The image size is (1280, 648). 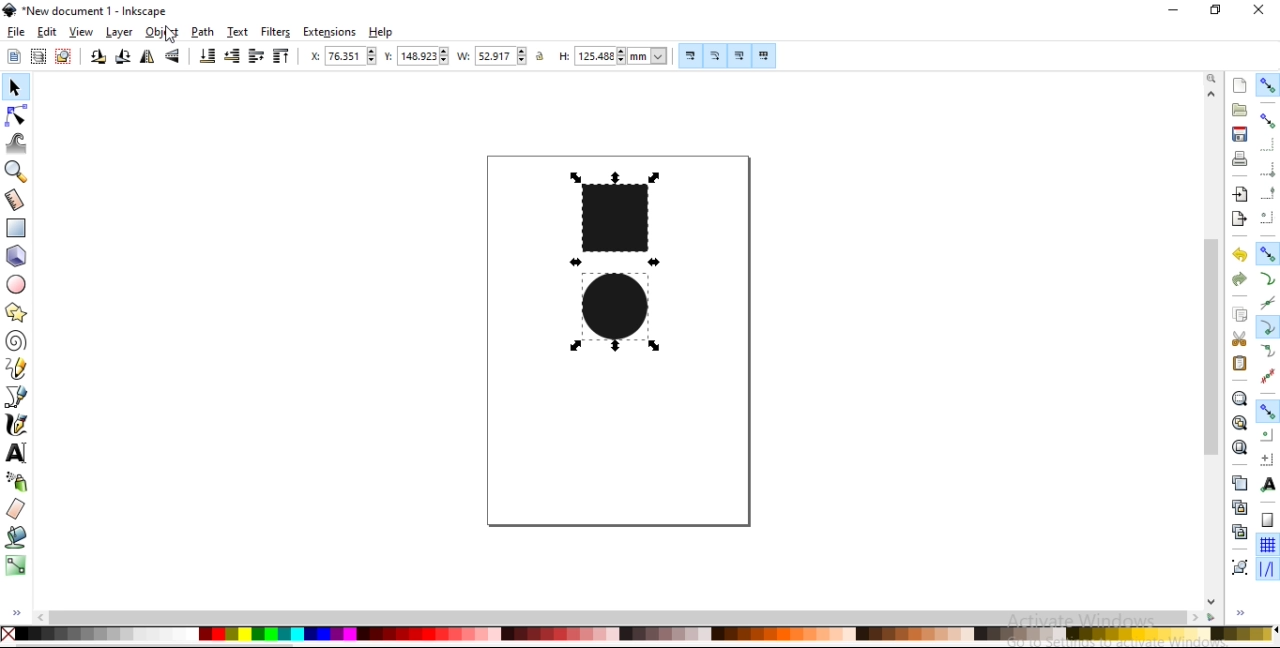 I want to click on snap an items rotation center, so click(x=1266, y=458).